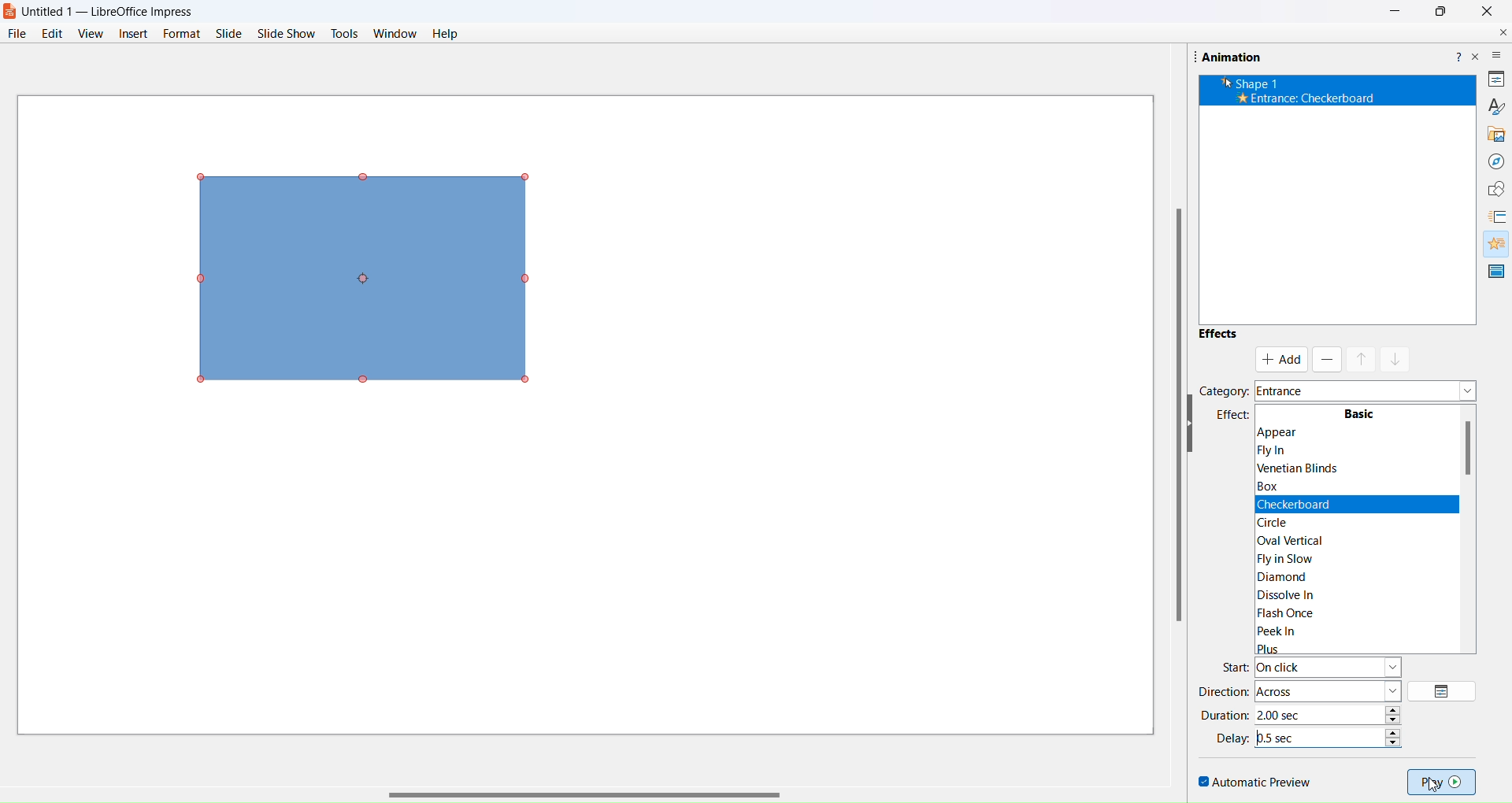 This screenshot has width=1512, height=803. Describe the element at coordinates (1239, 56) in the screenshot. I see `Animation` at that location.